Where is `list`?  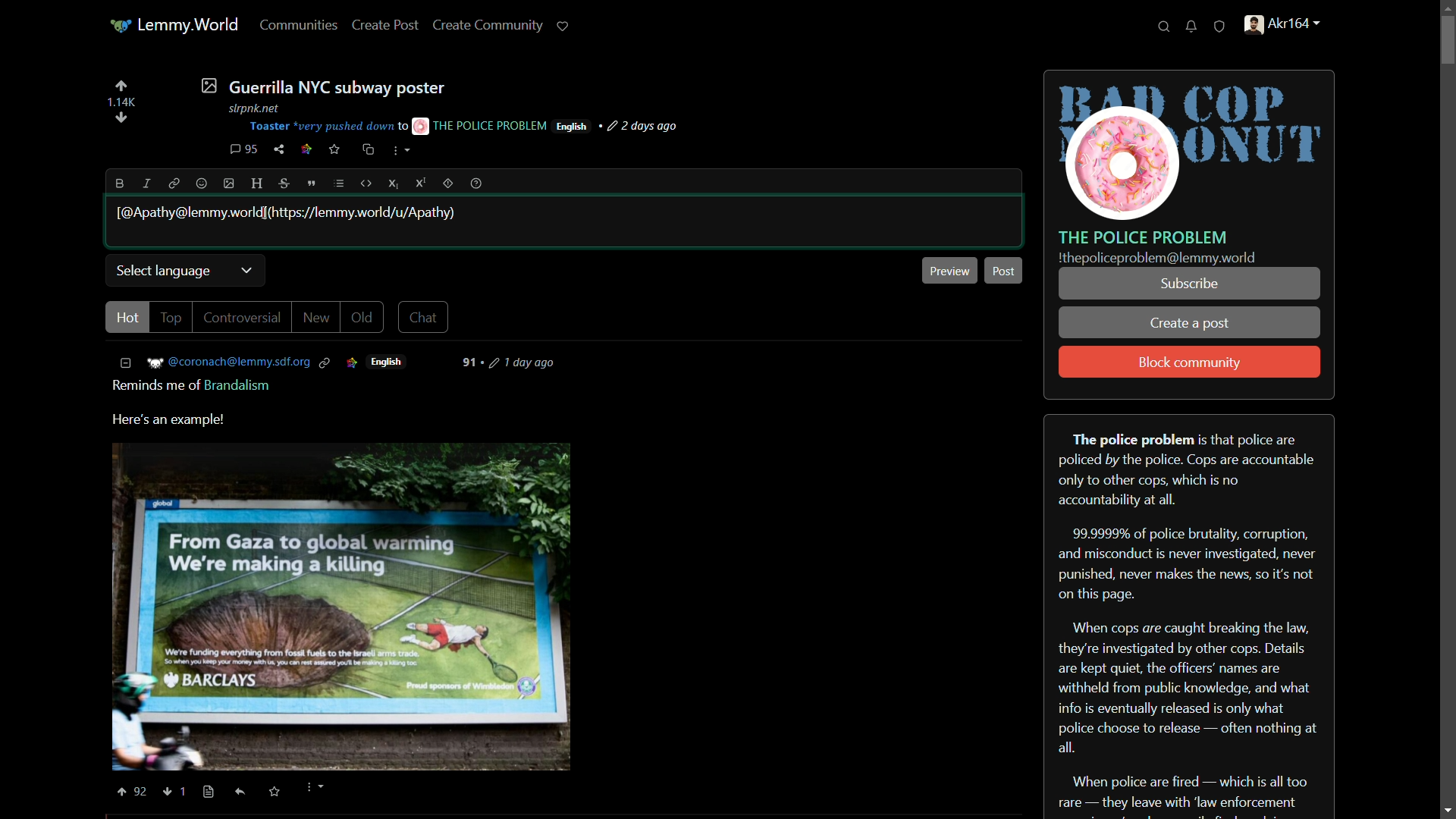 list is located at coordinates (339, 184).